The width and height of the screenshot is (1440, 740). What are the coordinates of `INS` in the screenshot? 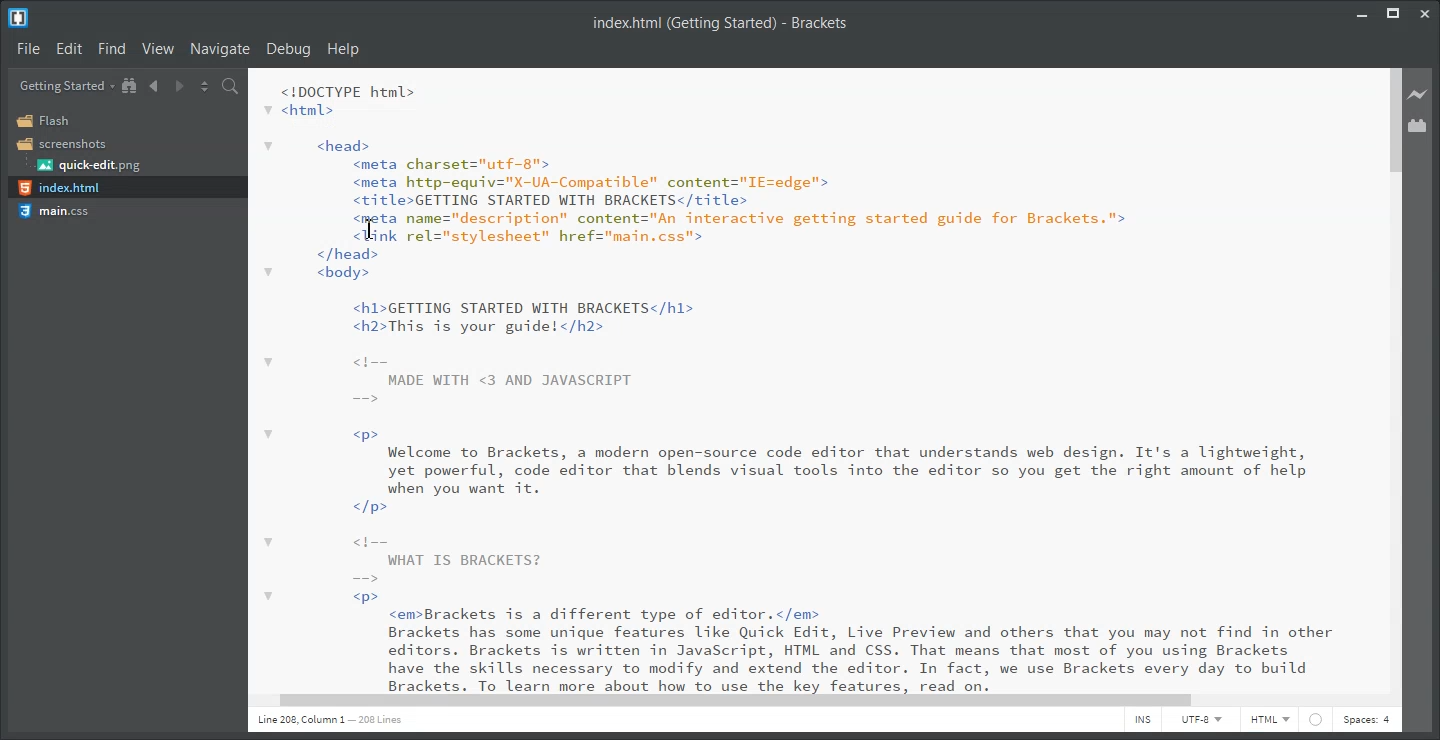 It's located at (1144, 723).